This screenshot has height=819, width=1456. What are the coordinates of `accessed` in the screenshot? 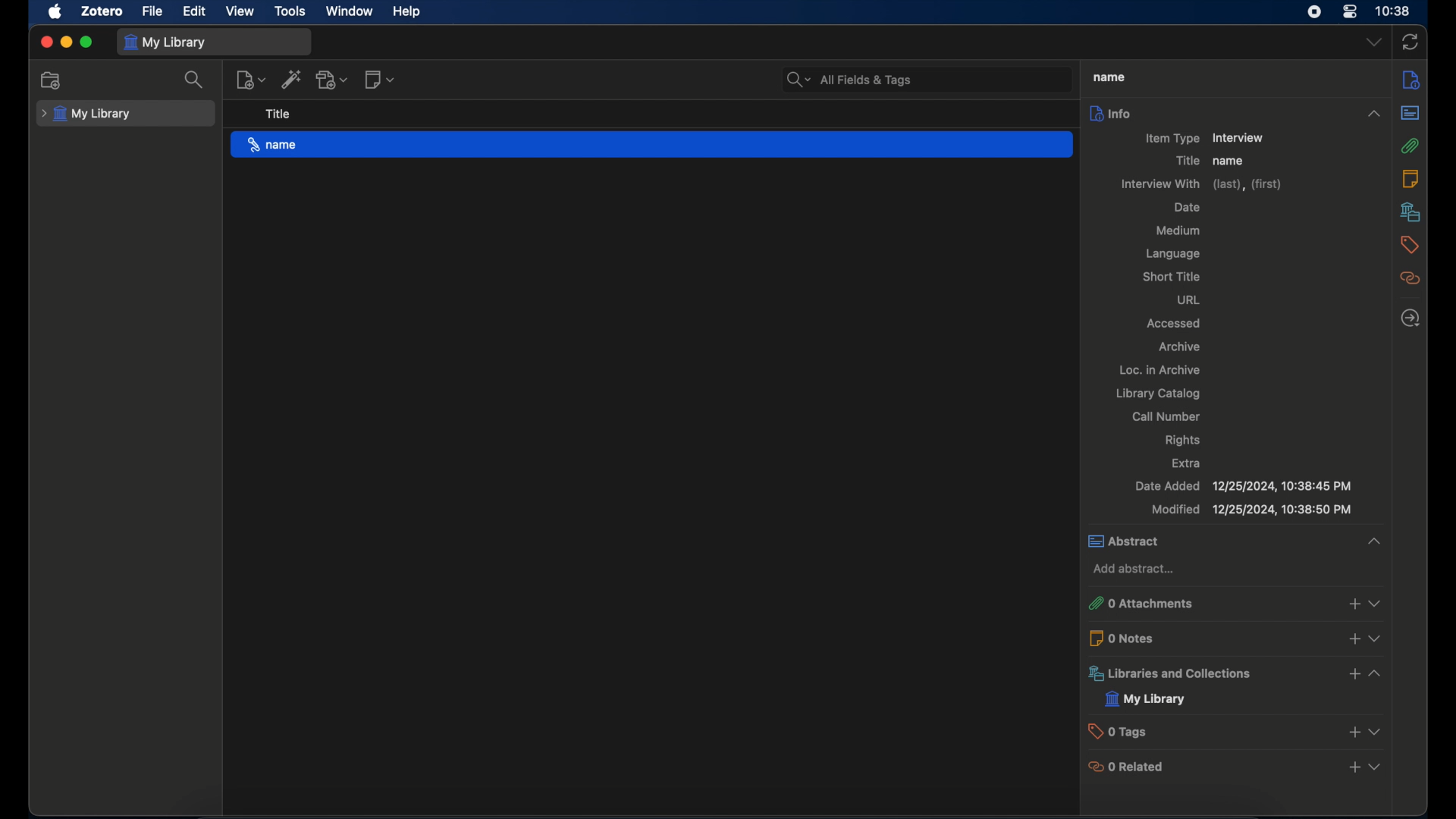 It's located at (1174, 324).